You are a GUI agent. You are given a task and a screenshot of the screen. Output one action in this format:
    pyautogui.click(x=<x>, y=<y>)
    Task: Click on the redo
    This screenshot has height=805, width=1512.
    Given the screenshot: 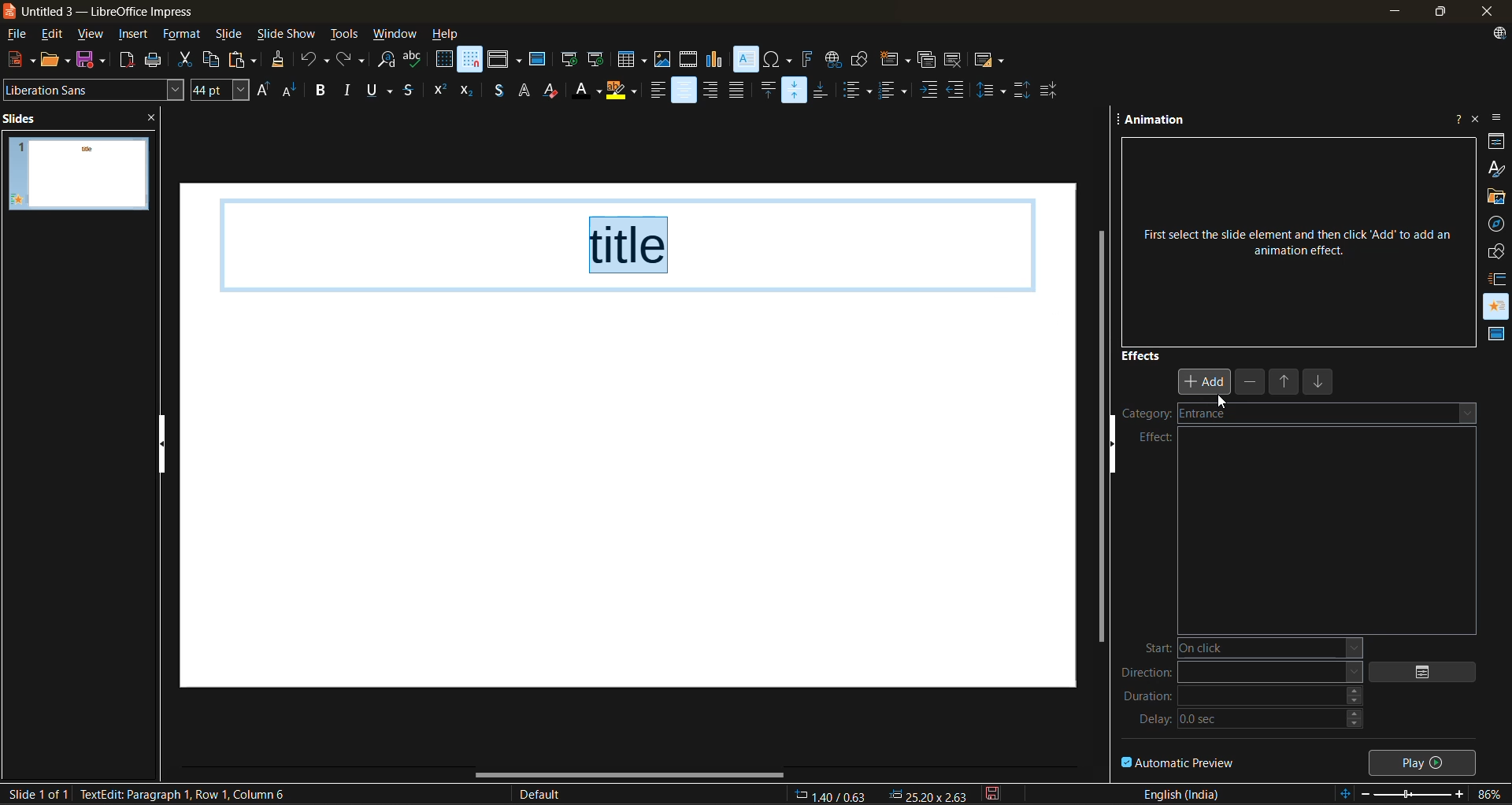 What is the action you would take?
    pyautogui.click(x=349, y=59)
    